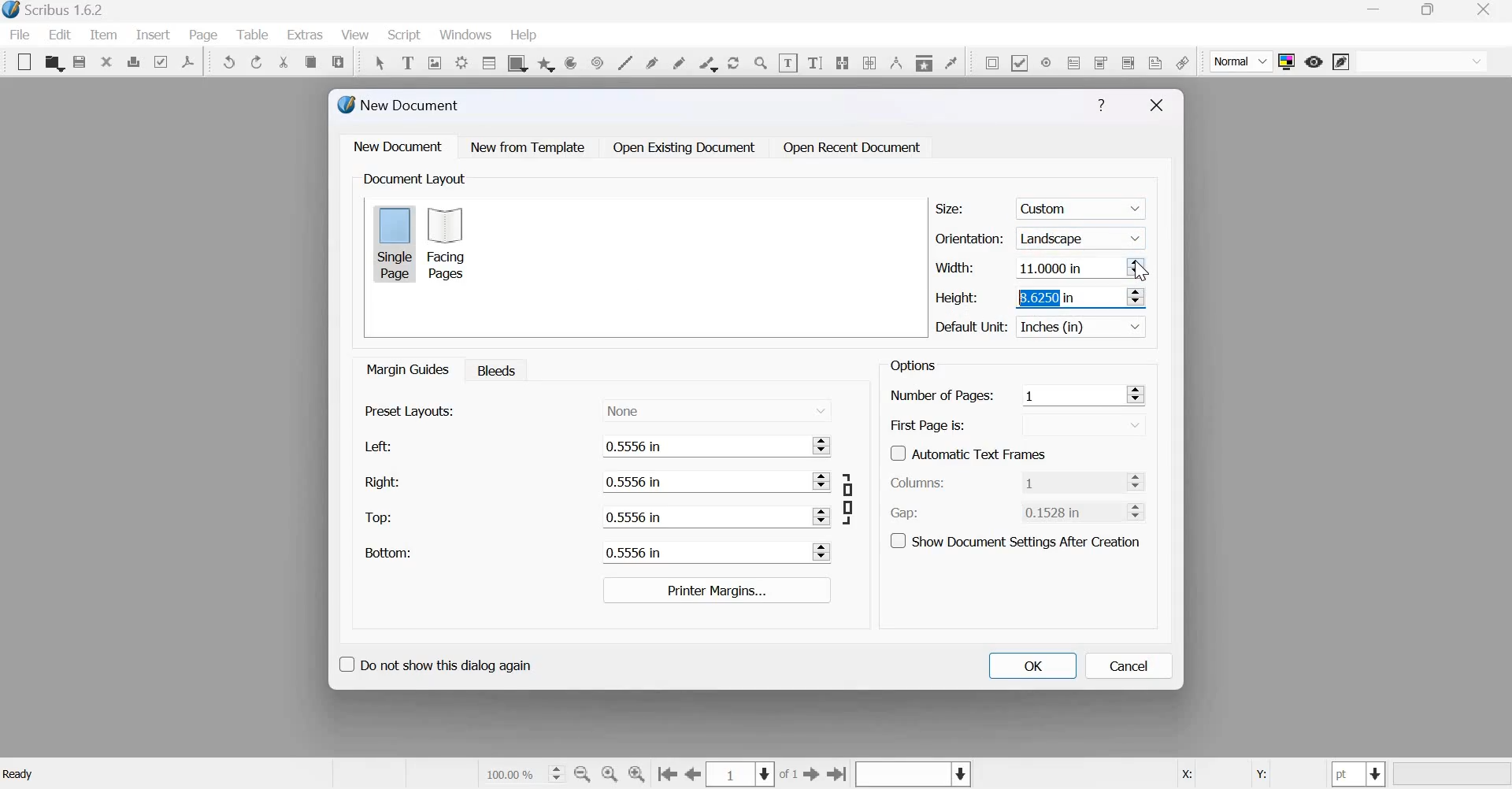  What do you see at coordinates (492, 369) in the screenshot?
I see `Bleeds` at bounding box center [492, 369].